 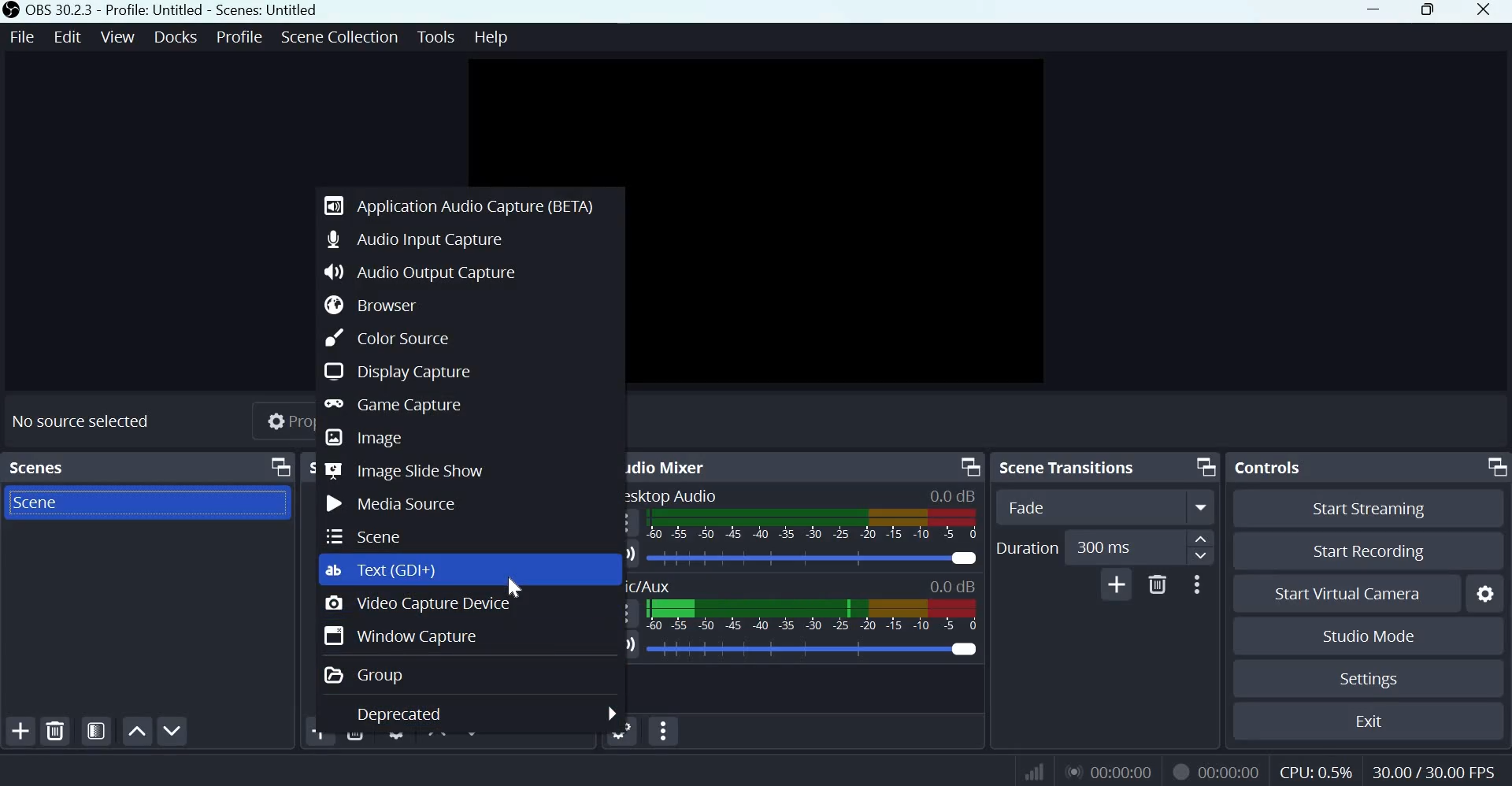 What do you see at coordinates (1202, 559) in the screenshot?
I see `Decrease` at bounding box center [1202, 559].